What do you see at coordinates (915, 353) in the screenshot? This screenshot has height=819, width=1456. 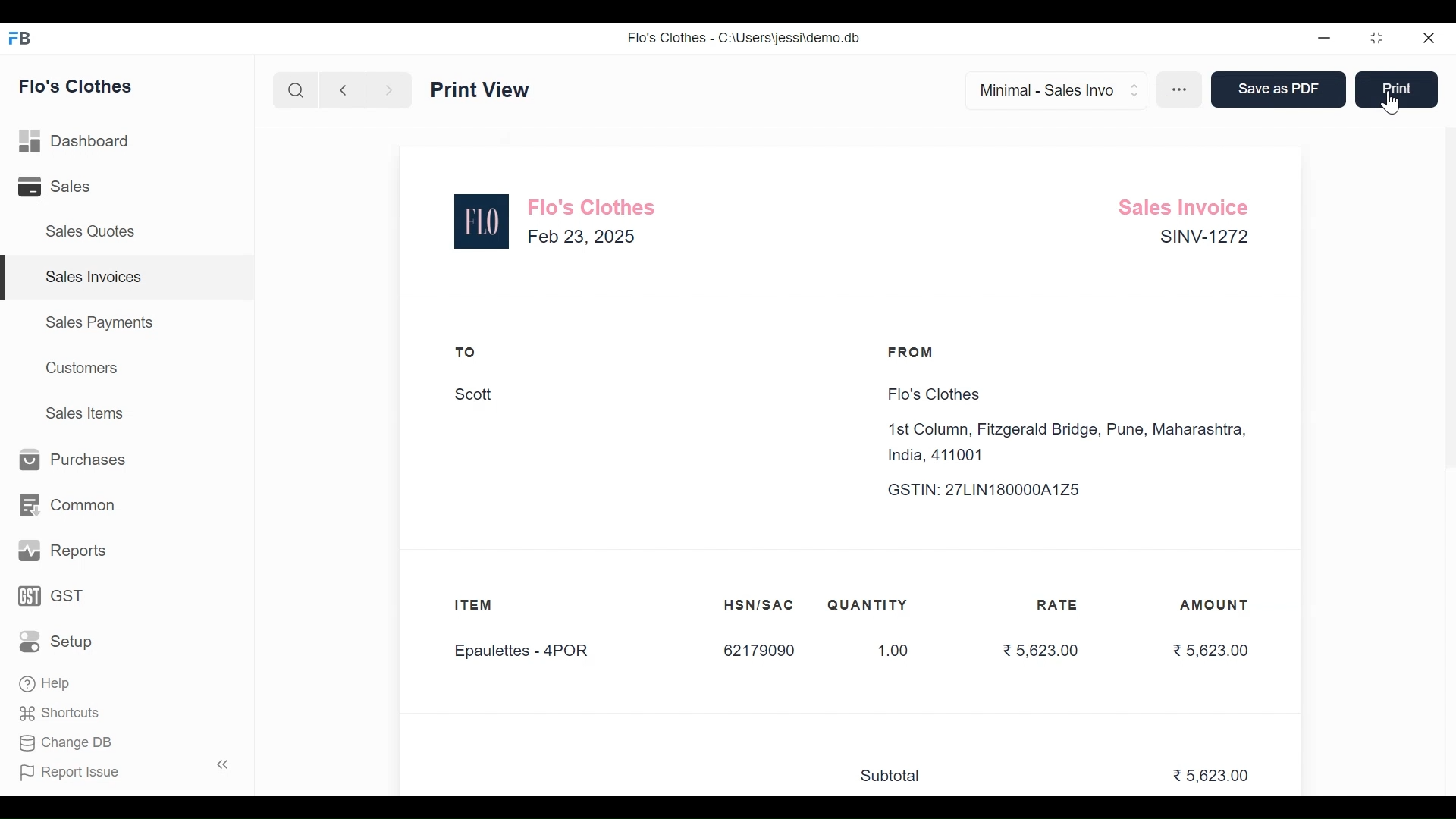 I see `FROM` at bounding box center [915, 353].